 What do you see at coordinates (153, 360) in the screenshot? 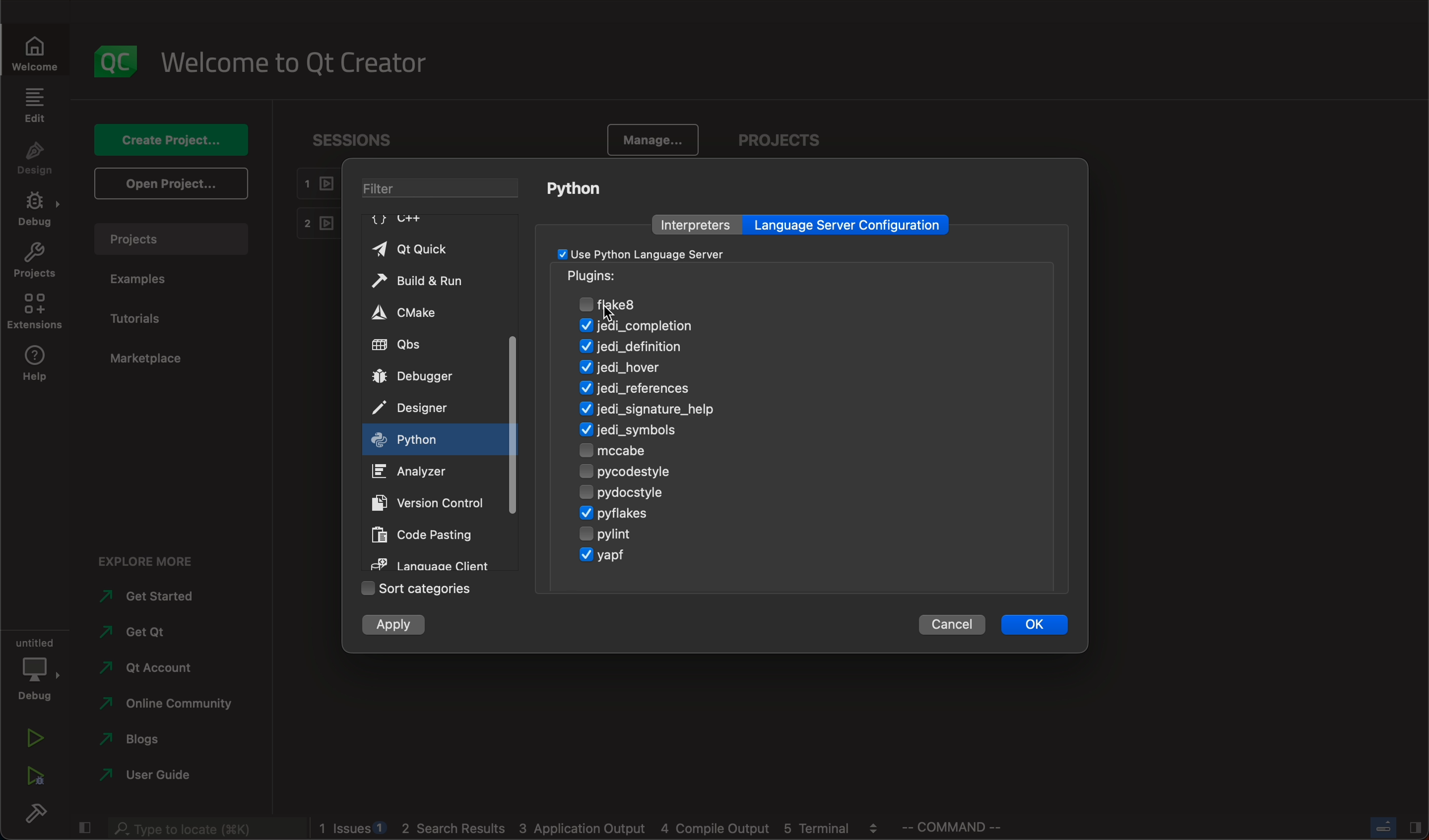
I see `marketplace` at bounding box center [153, 360].